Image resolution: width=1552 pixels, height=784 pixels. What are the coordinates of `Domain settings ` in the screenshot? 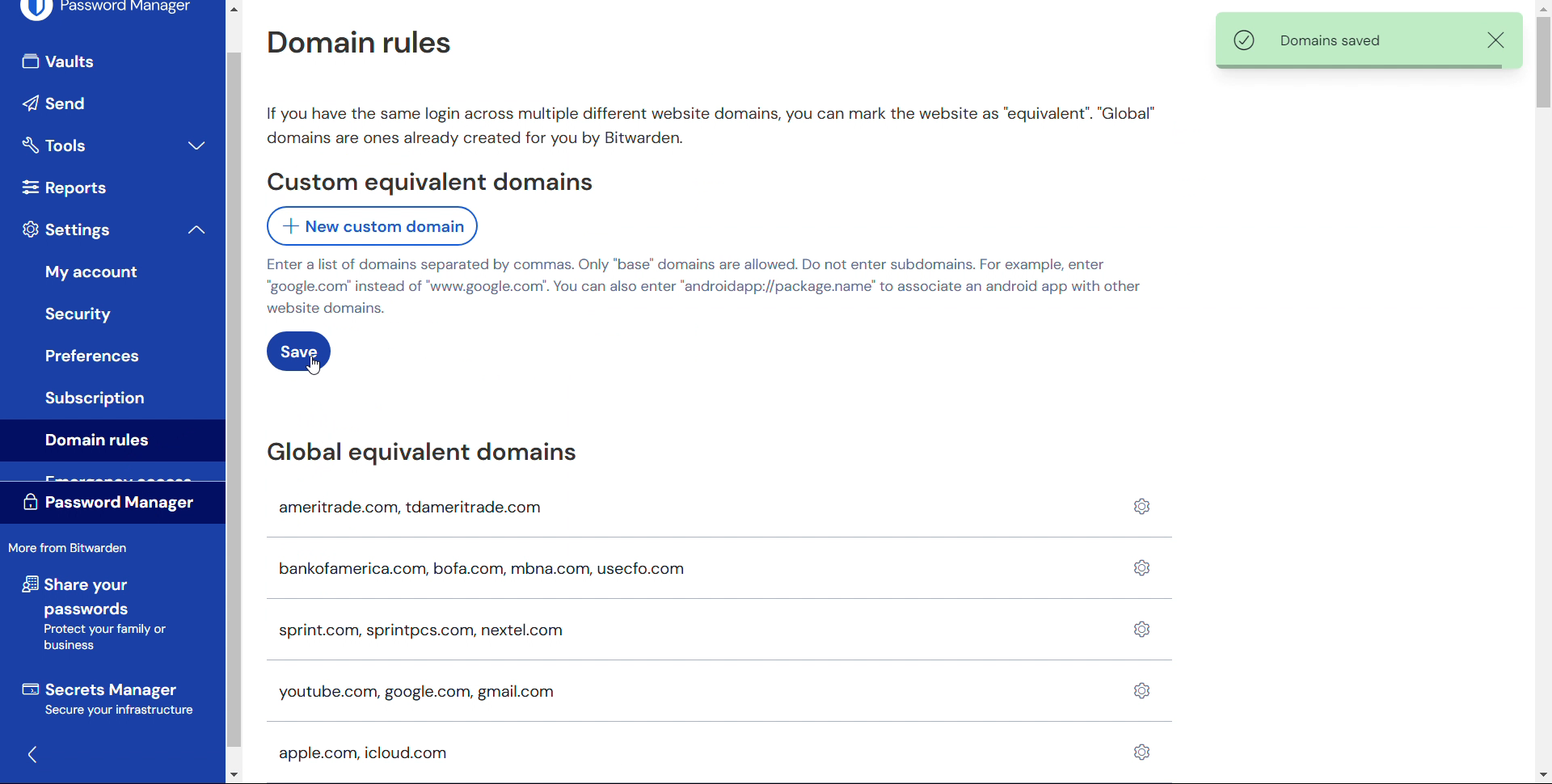 It's located at (1137, 634).